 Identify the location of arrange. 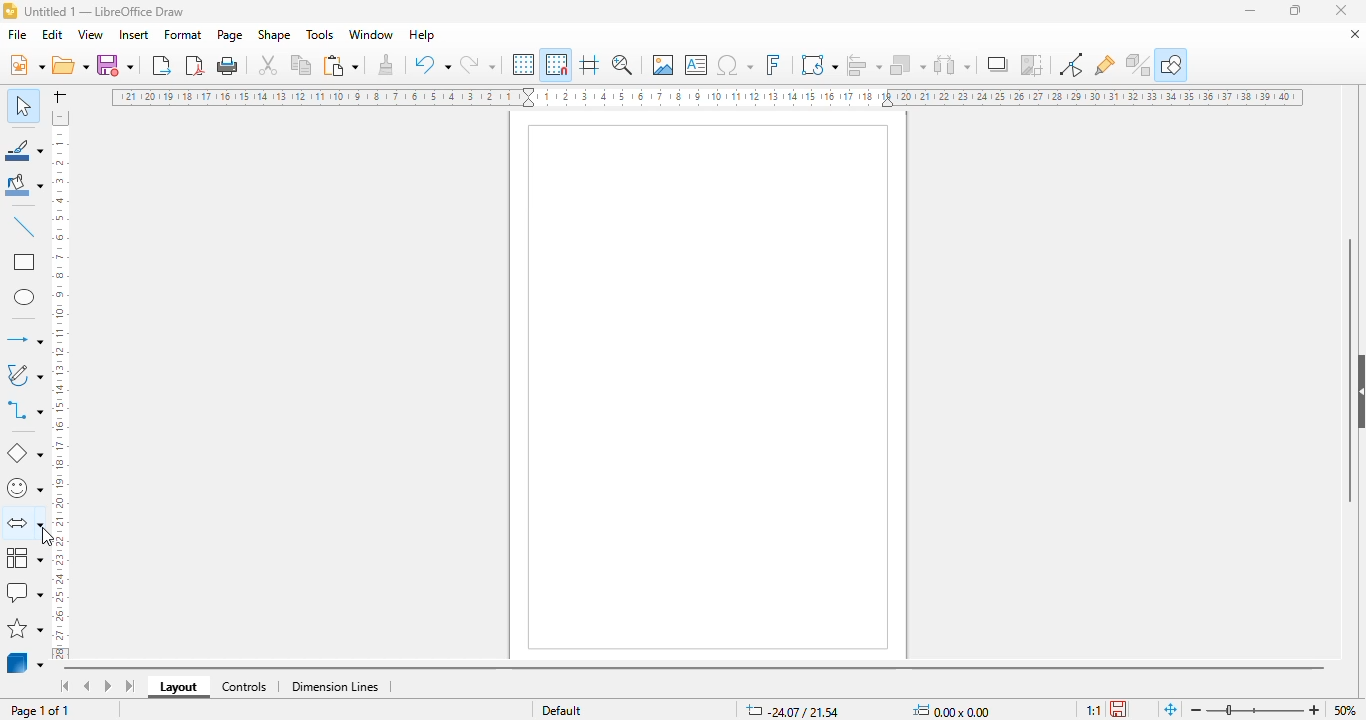
(908, 65).